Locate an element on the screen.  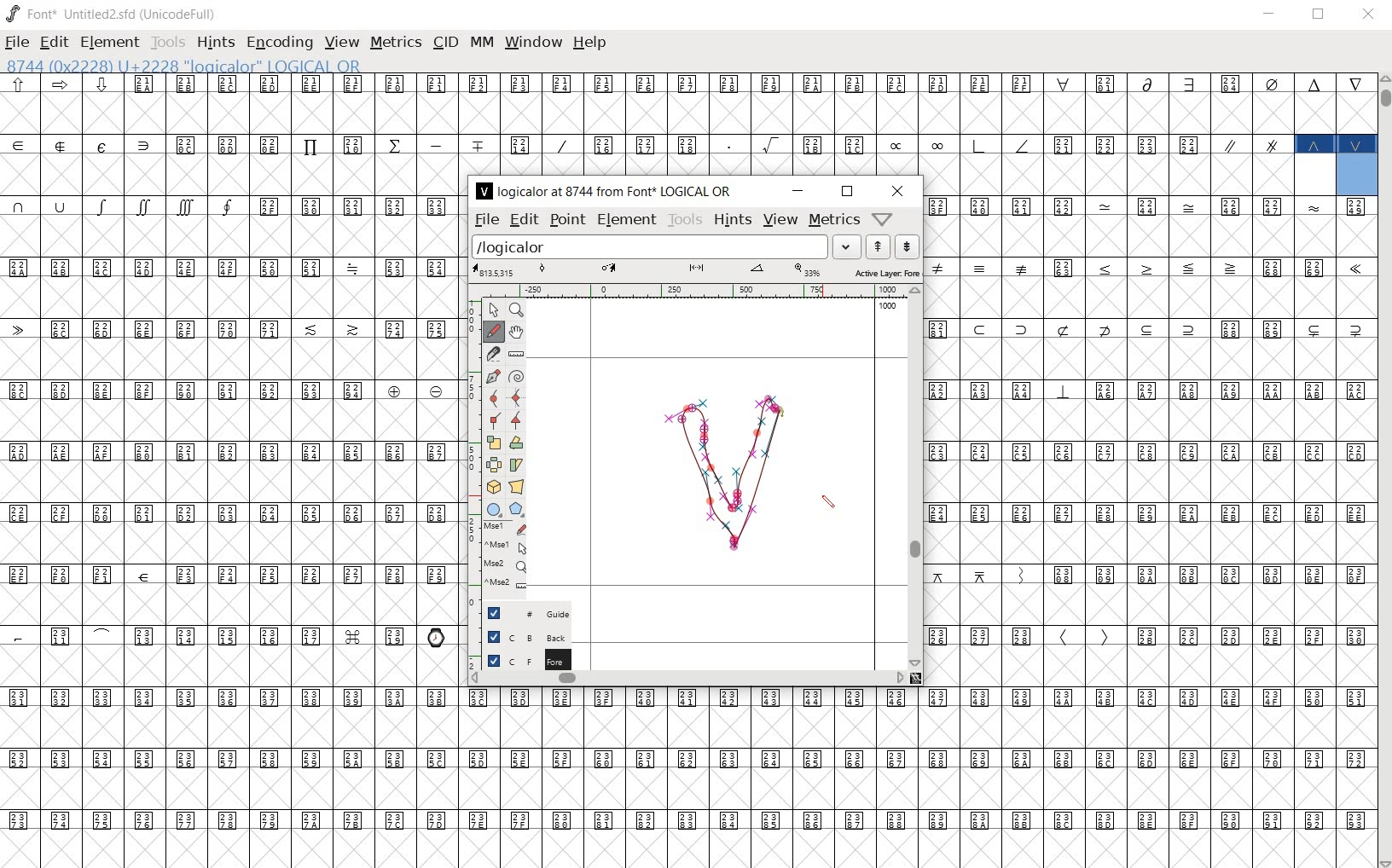
add a point, then drag out its control points is located at coordinates (492, 374).